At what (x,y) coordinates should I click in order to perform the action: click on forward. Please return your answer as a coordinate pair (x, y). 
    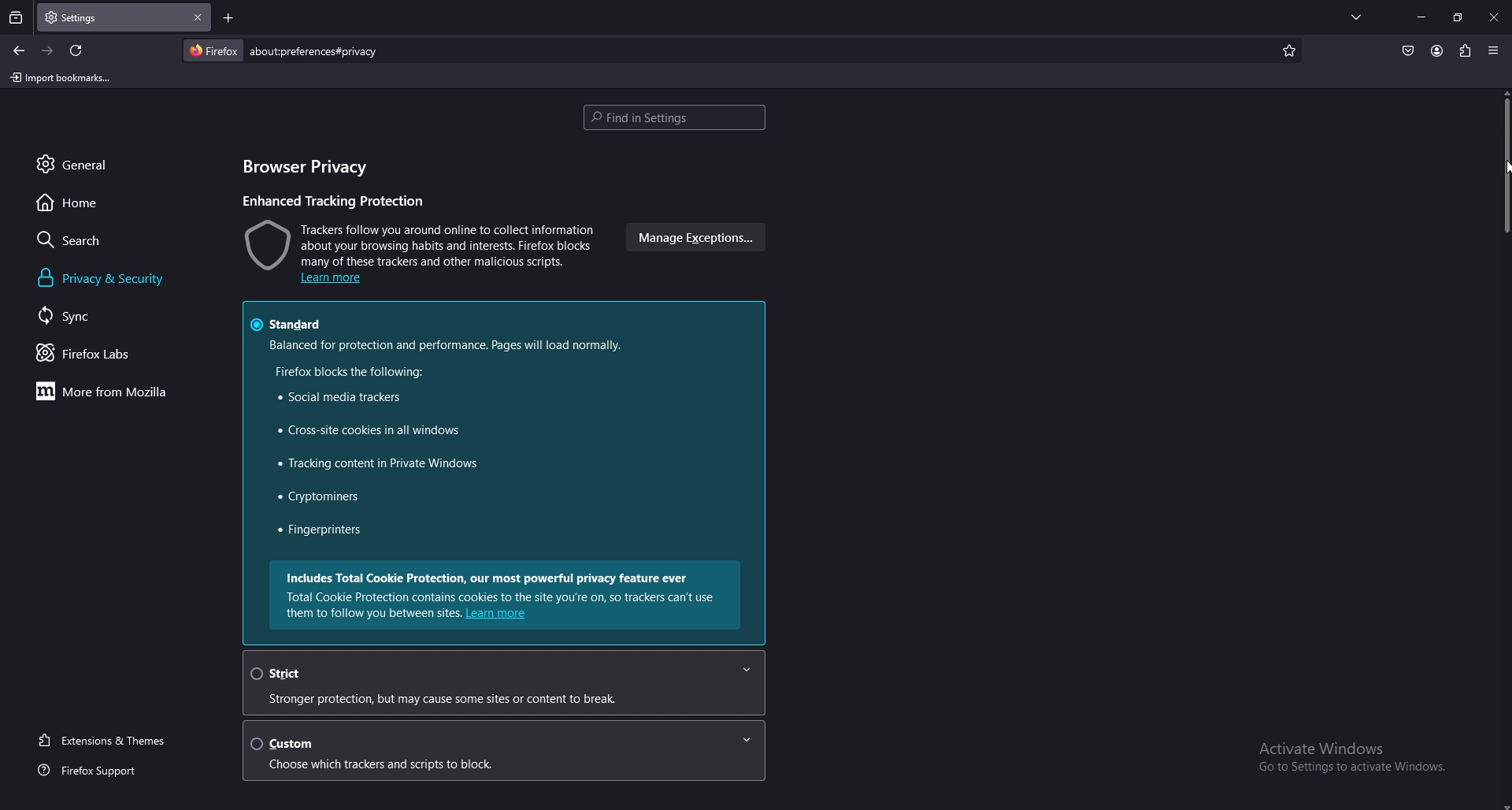
    Looking at the image, I should click on (49, 51).